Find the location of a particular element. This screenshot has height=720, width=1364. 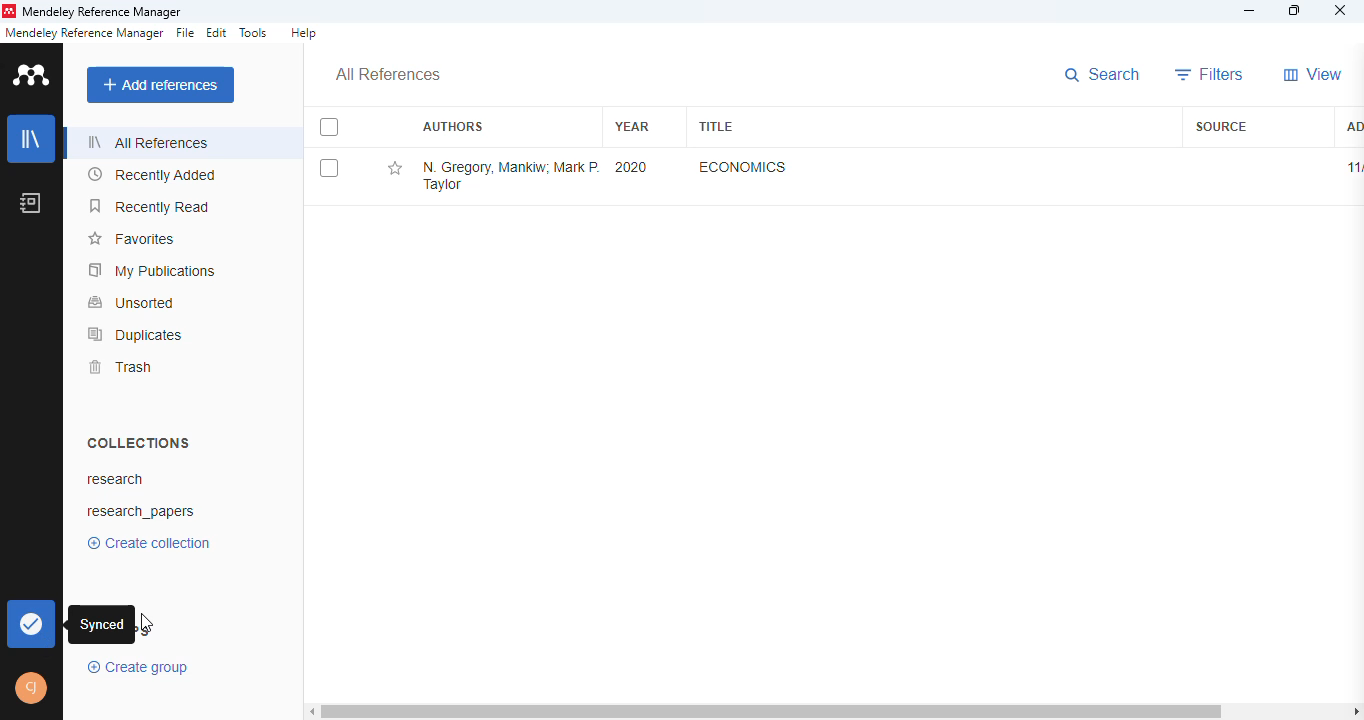

select is located at coordinates (329, 168).